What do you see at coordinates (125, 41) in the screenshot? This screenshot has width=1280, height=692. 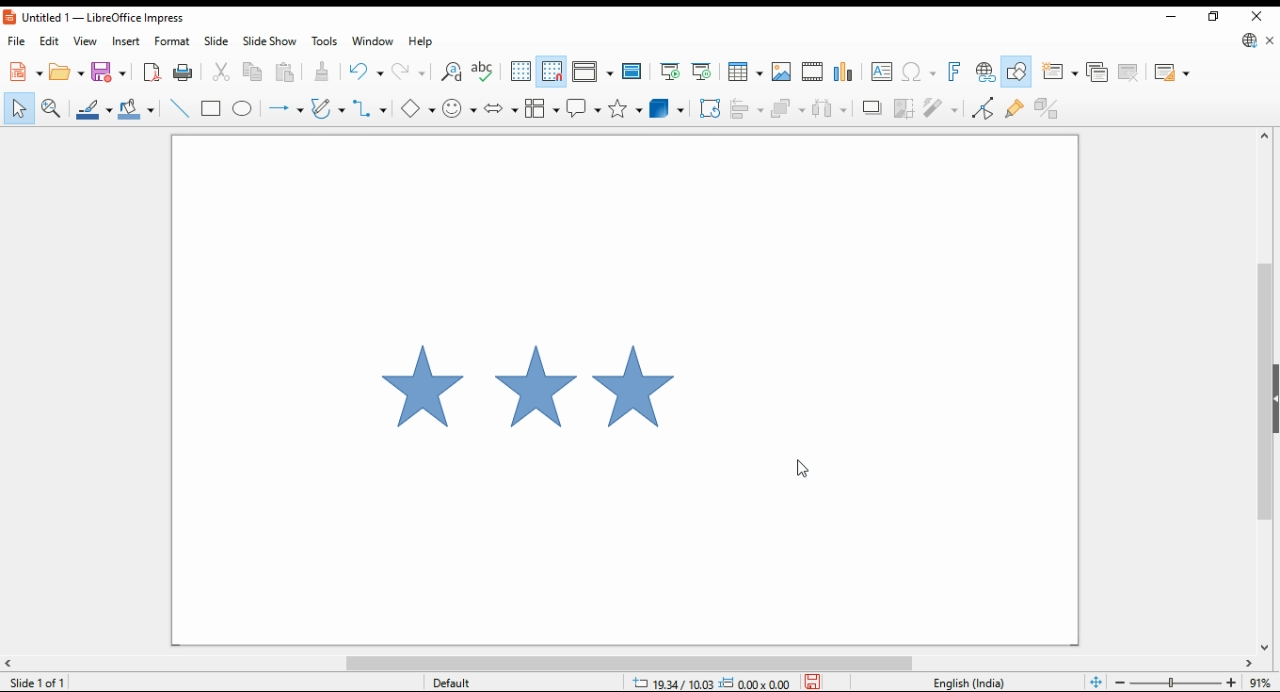 I see `insert` at bounding box center [125, 41].